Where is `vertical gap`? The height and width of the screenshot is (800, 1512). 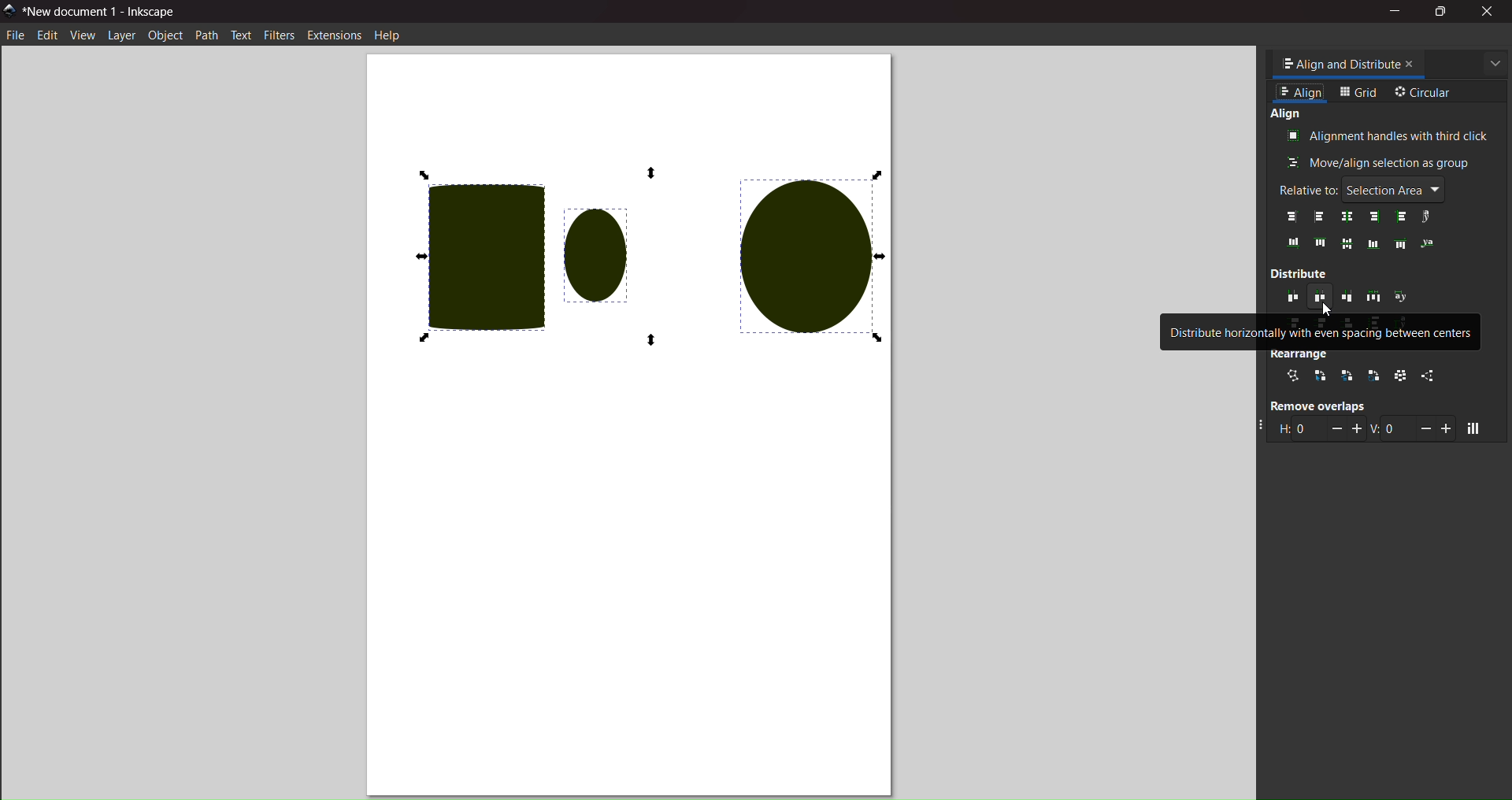
vertical gap is located at coordinates (1413, 428).